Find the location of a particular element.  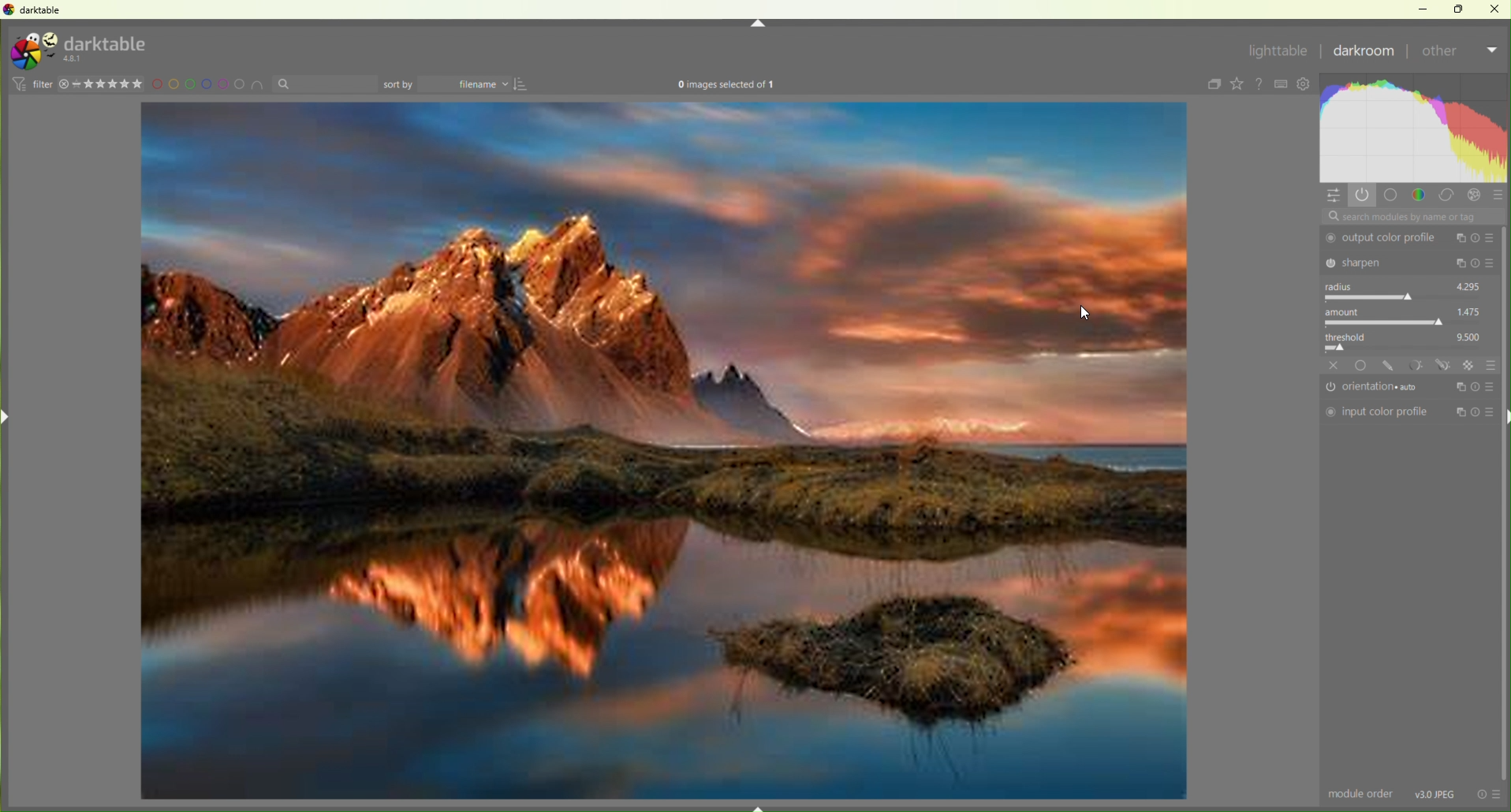

base is located at coordinates (1391, 195).